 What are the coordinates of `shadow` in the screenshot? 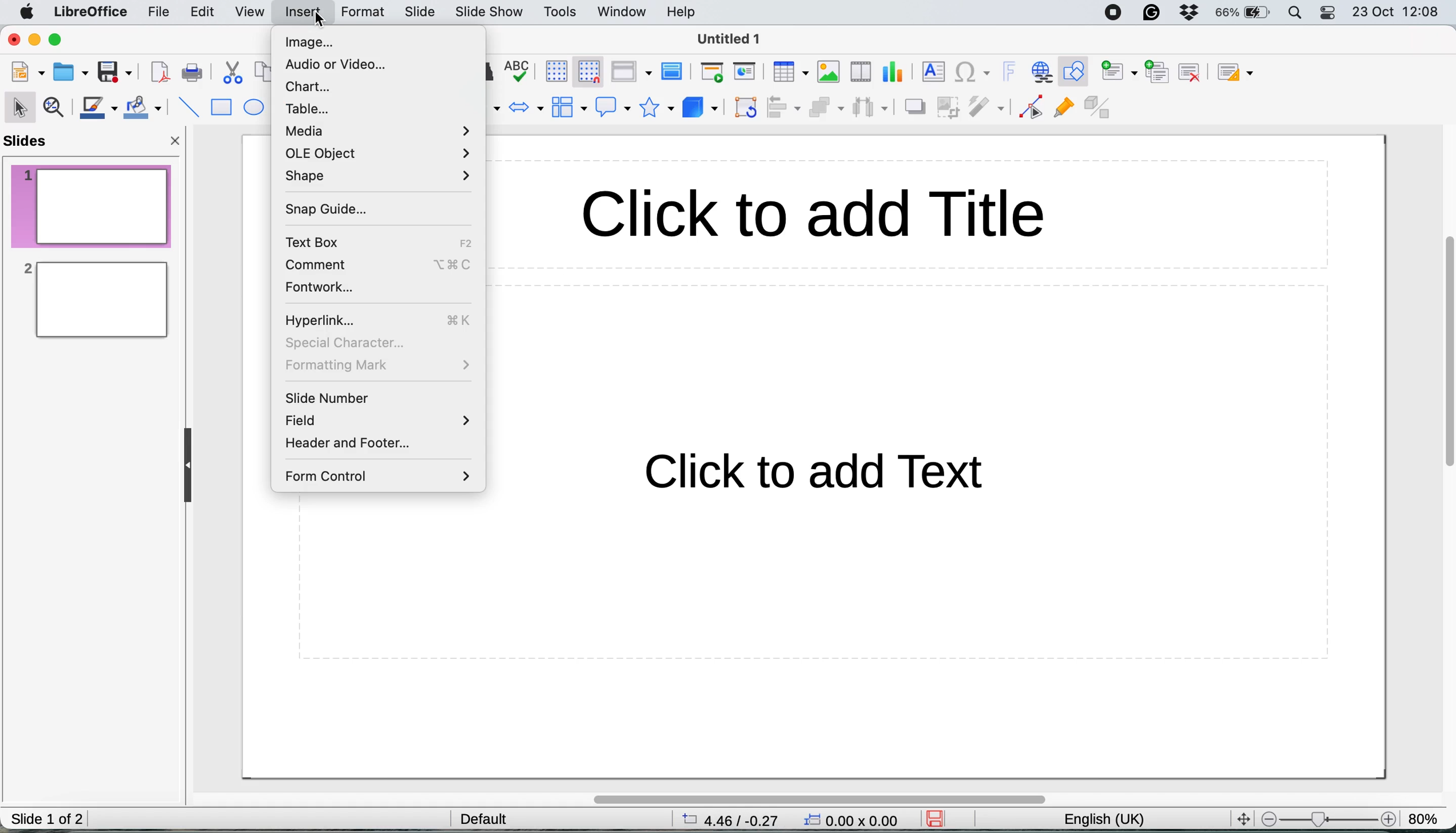 It's located at (914, 107).